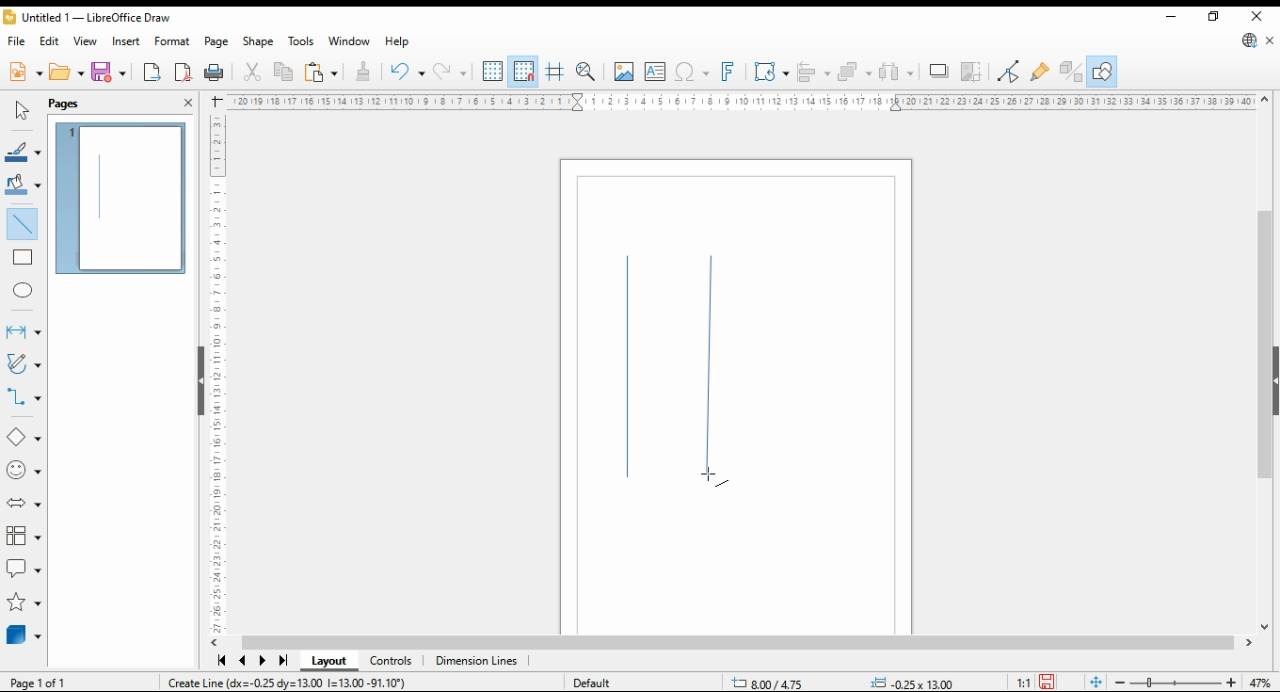 Image resolution: width=1280 pixels, height=692 pixels. I want to click on insert, so click(127, 41).